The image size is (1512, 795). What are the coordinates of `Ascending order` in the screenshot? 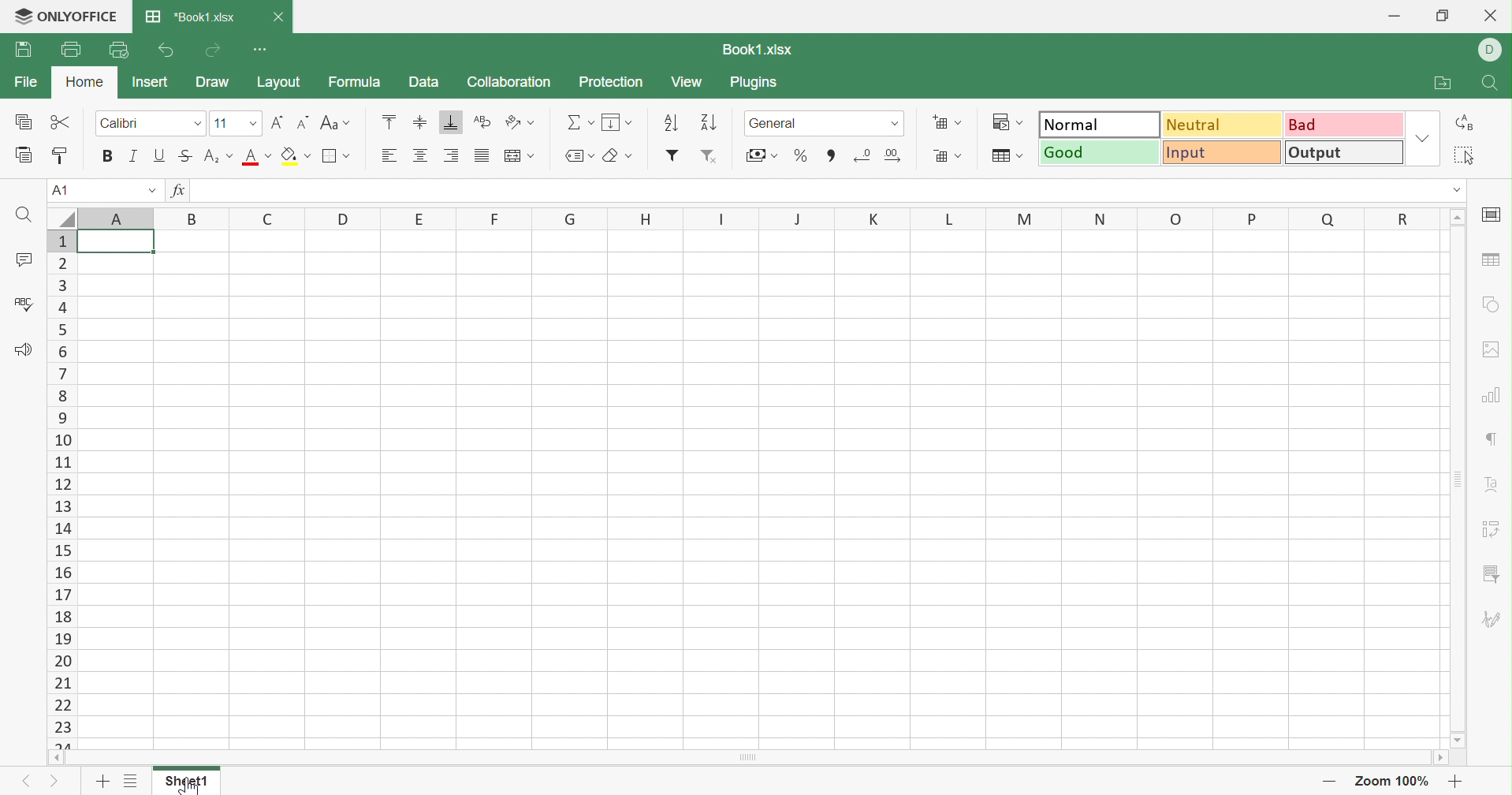 It's located at (672, 120).